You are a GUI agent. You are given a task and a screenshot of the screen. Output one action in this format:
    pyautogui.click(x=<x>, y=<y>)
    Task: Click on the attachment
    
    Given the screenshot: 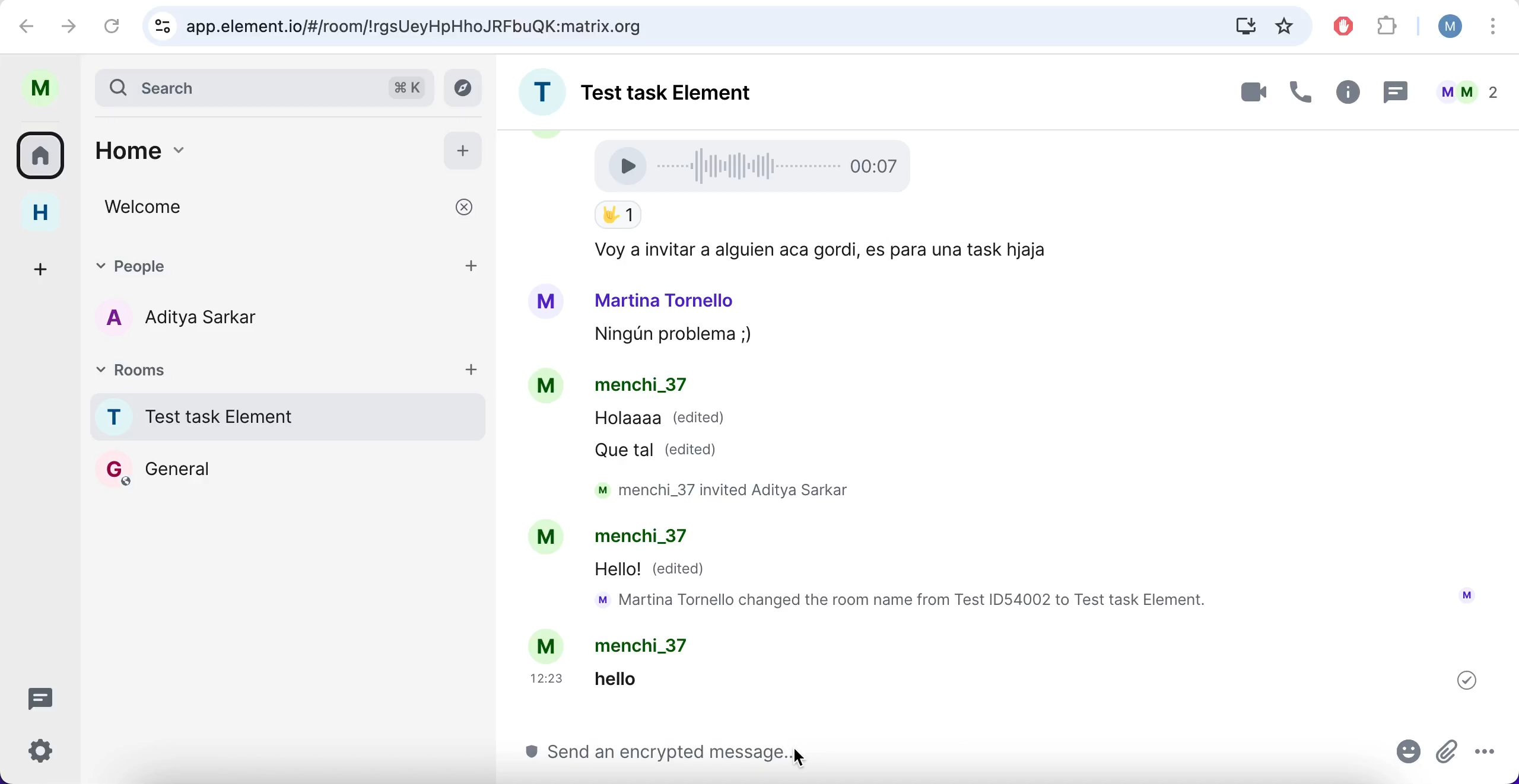 What is the action you would take?
    pyautogui.click(x=1447, y=750)
    